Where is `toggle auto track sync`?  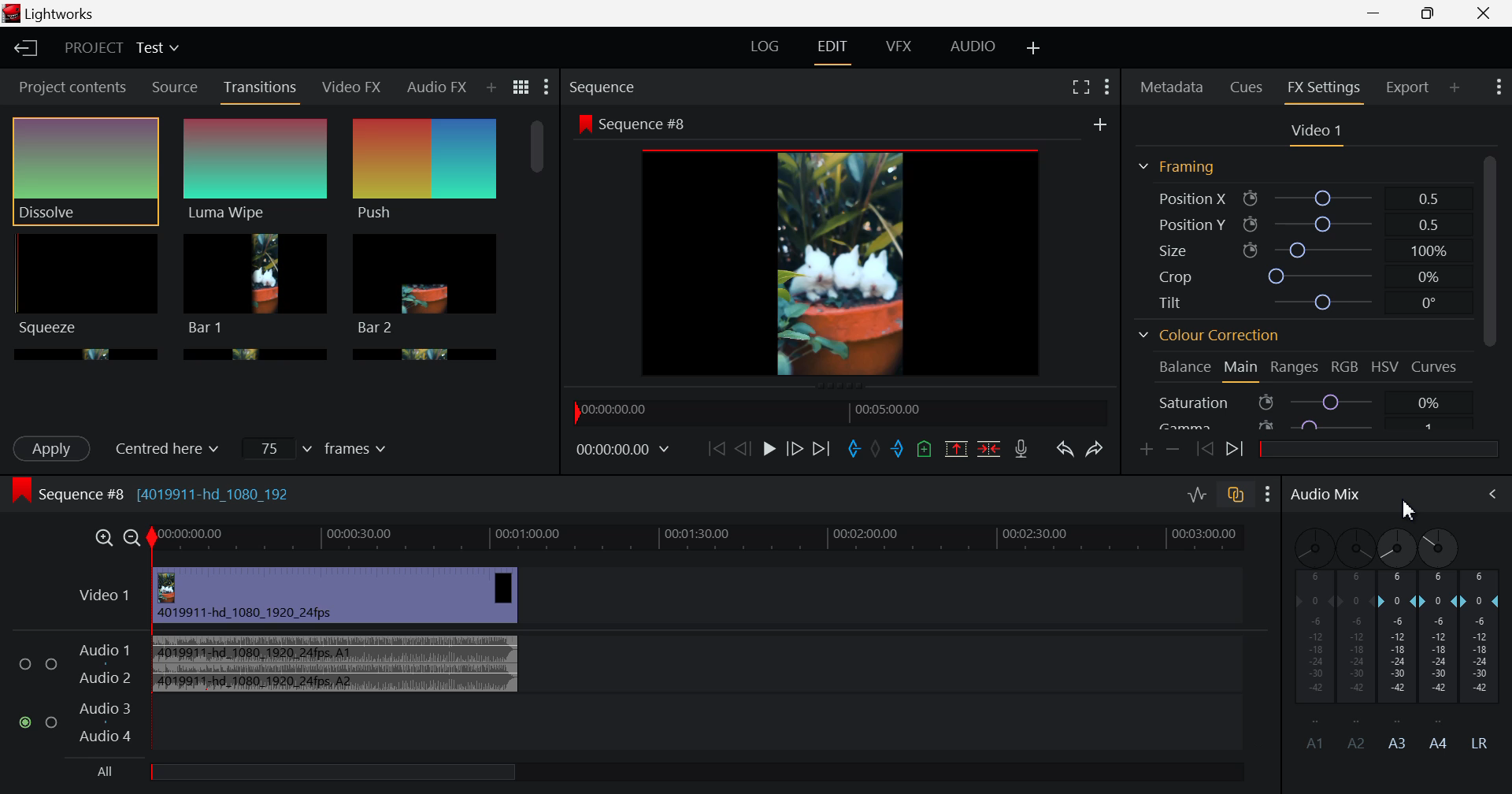
toggle auto track sync is located at coordinates (1237, 499).